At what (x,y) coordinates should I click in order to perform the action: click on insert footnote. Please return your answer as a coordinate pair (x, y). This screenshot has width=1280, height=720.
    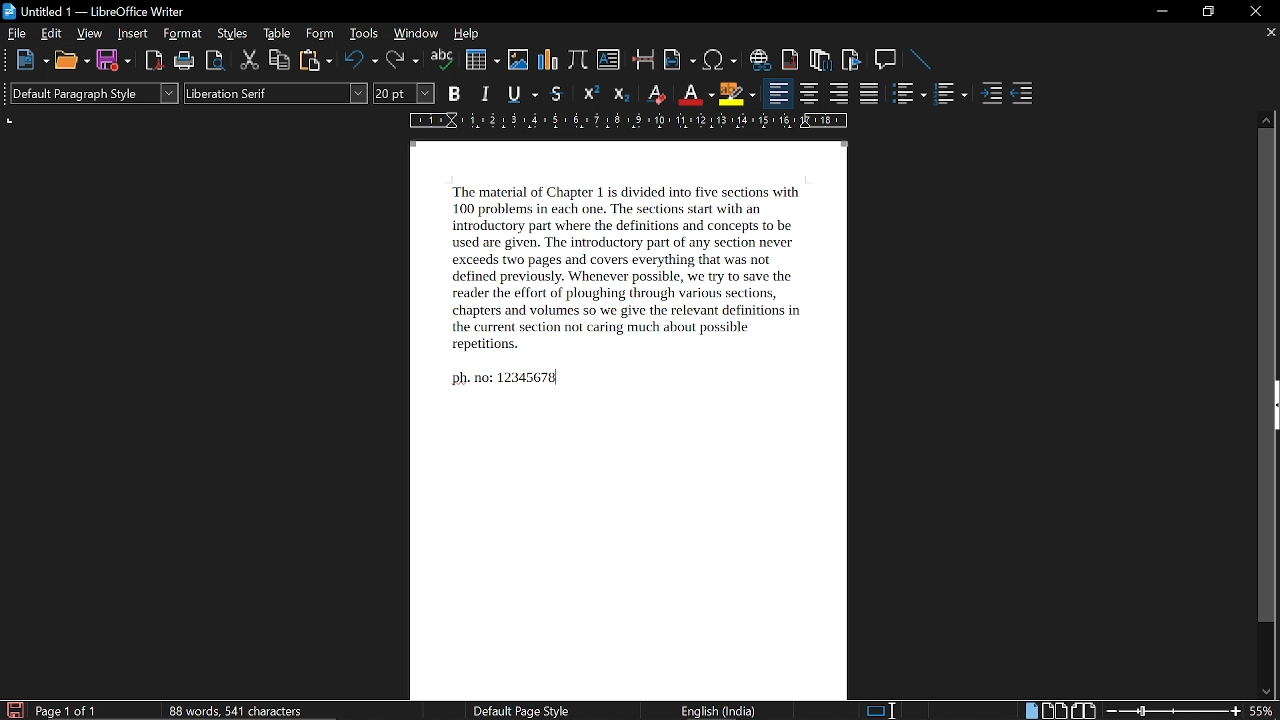
    Looking at the image, I should click on (790, 60).